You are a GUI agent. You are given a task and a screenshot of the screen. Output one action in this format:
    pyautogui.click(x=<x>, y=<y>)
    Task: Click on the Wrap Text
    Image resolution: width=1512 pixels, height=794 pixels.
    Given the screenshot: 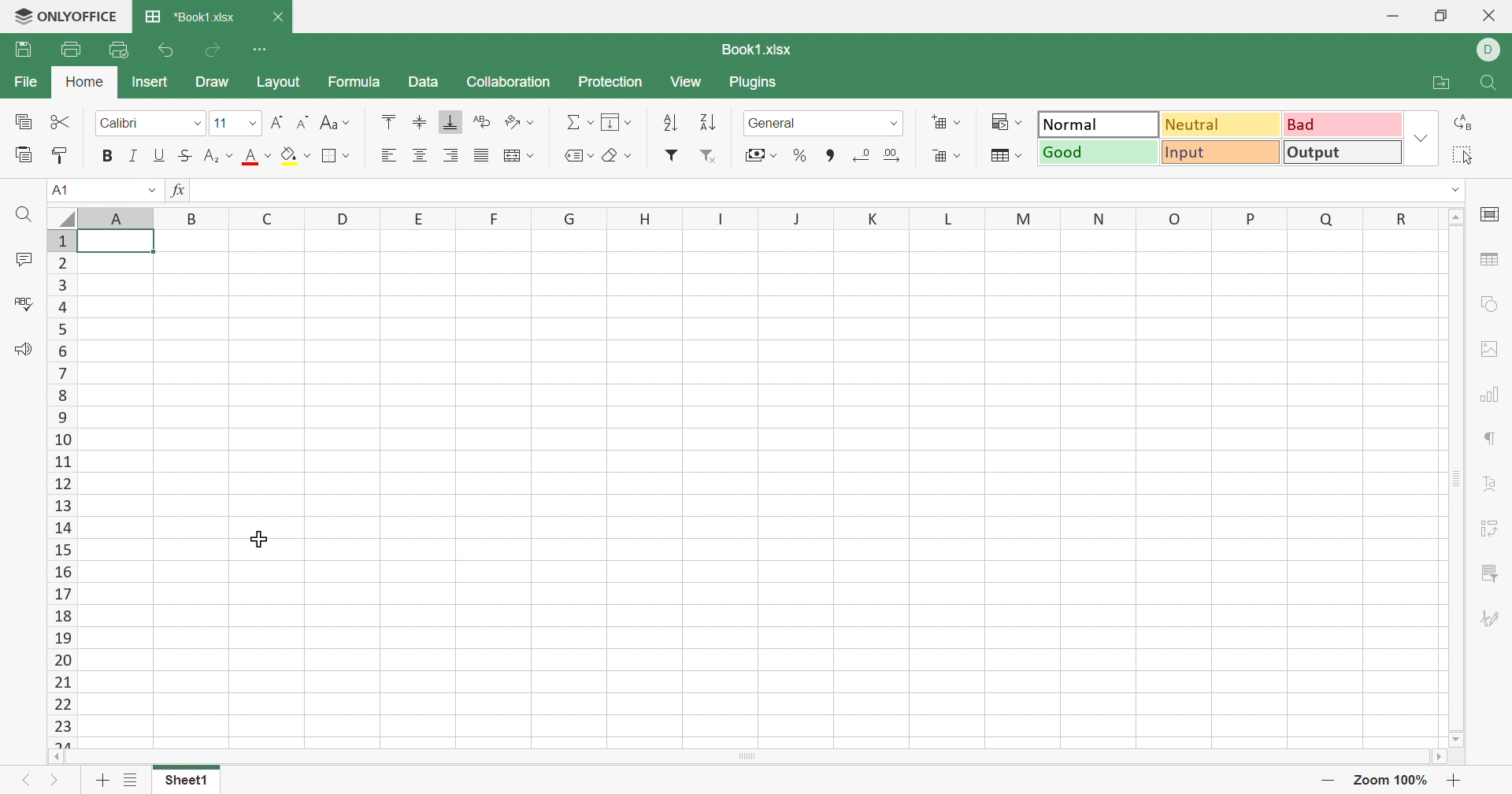 What is the action you would take?
    pyautogui.click(x=481, y=121)
    